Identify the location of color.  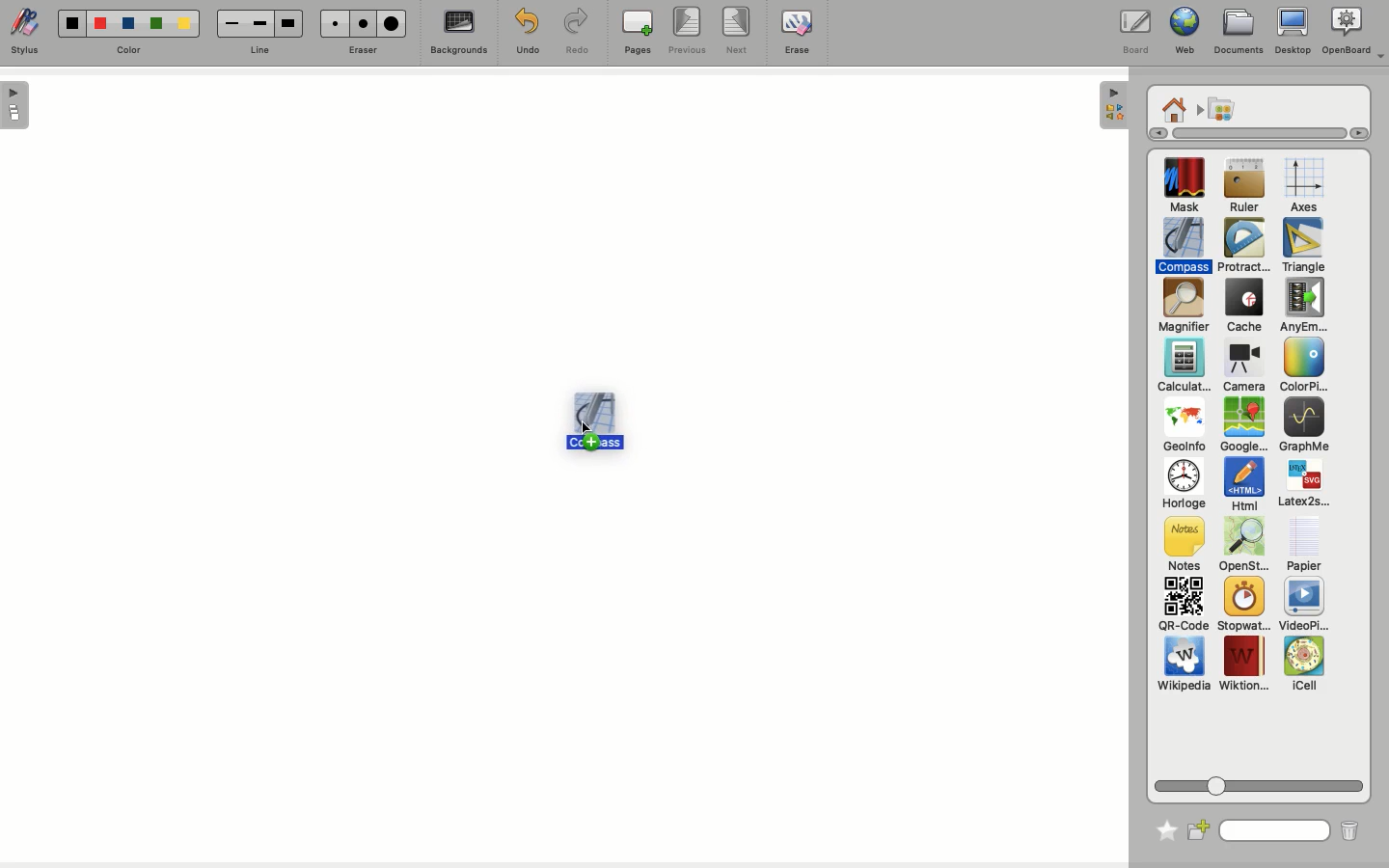
(128, 49).